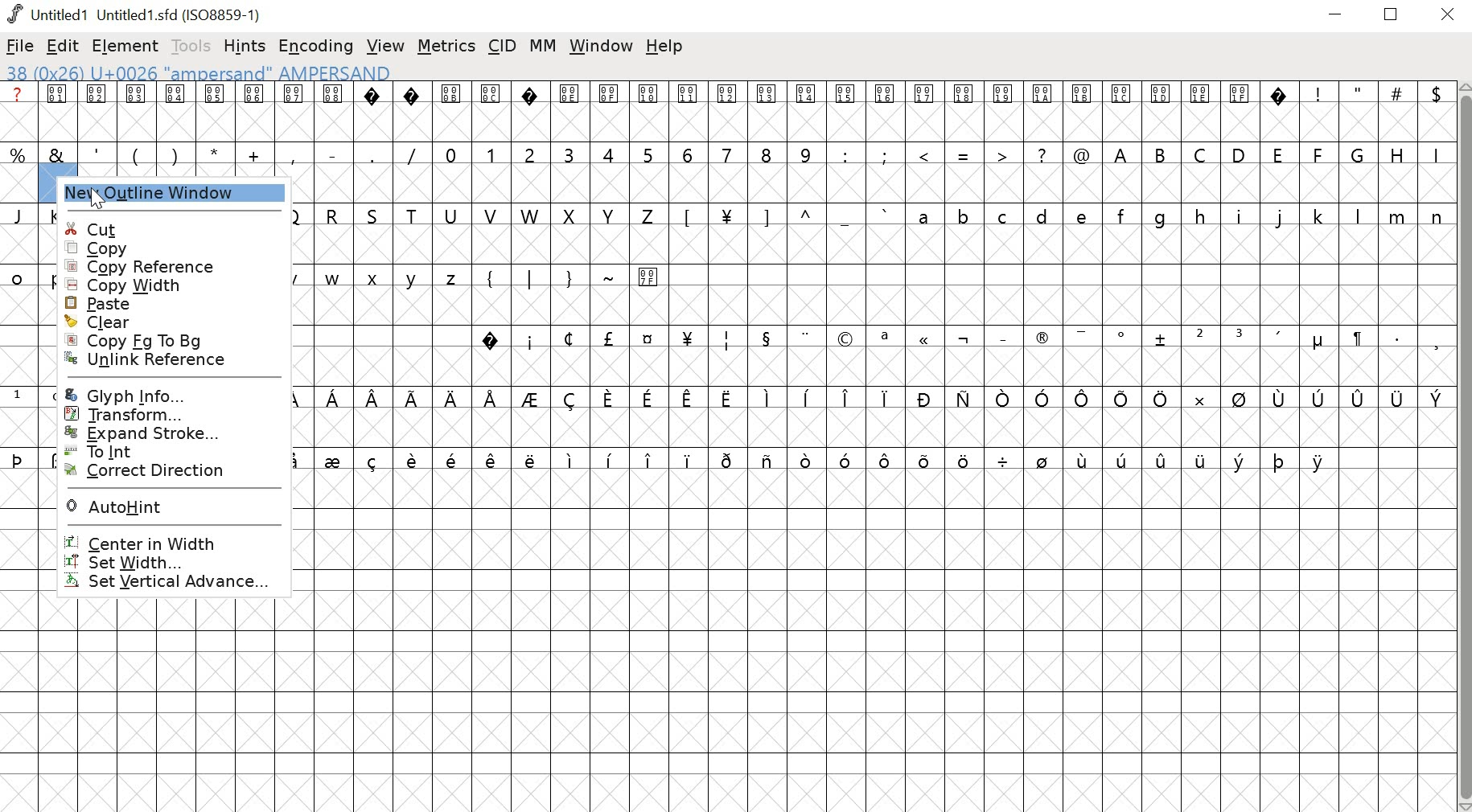 This screenshot has width=1472, height=812. Describe the element at coordinates (1437, 215) in the screenshot. I see `n` at that location.